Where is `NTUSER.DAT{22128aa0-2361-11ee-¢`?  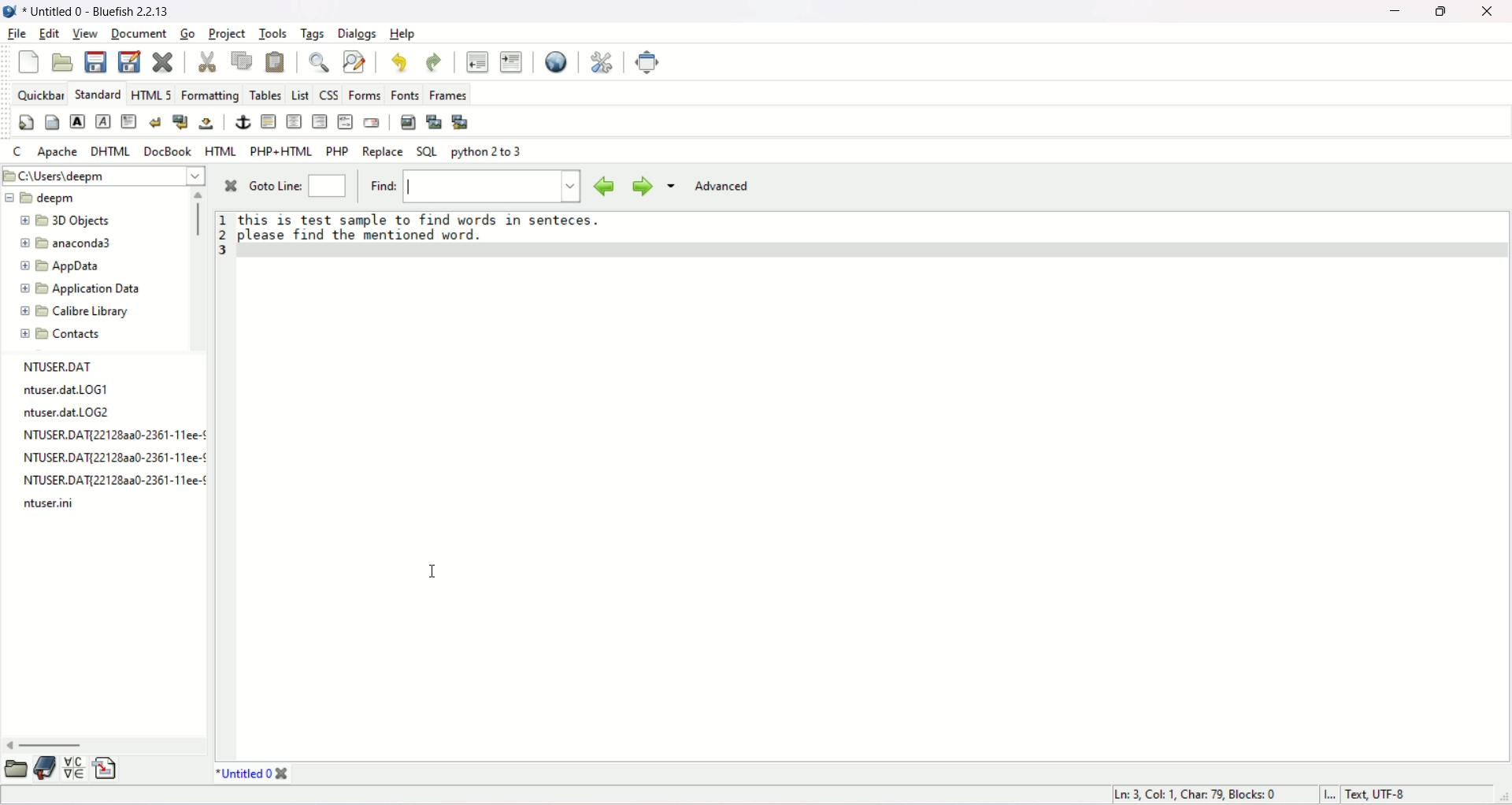 NTUSER.DAT{22128aa0-2361-11ee-¢ is located at coordinates (116, 457).